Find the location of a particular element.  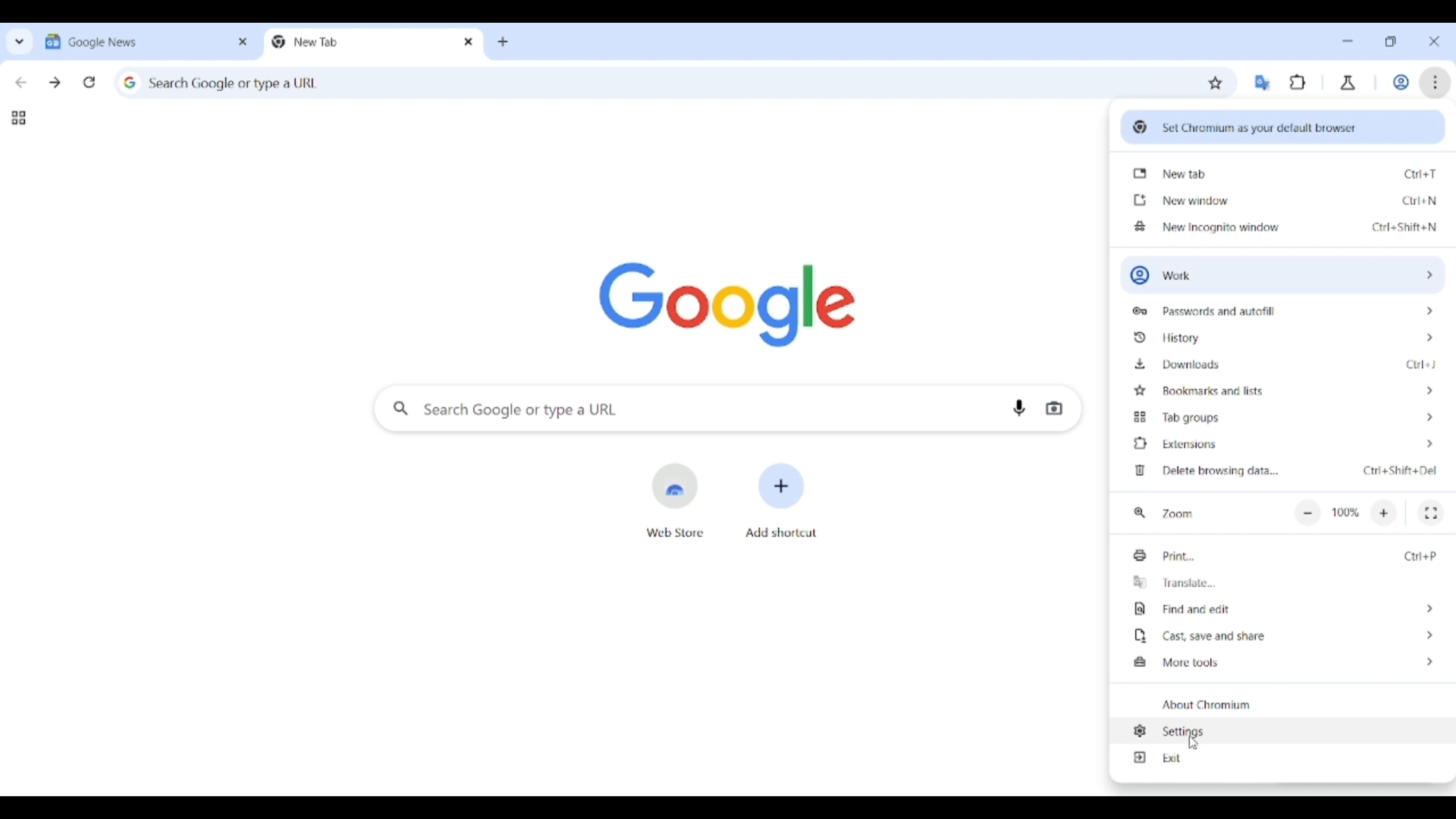

Go back is located at coordinates (20, 83).